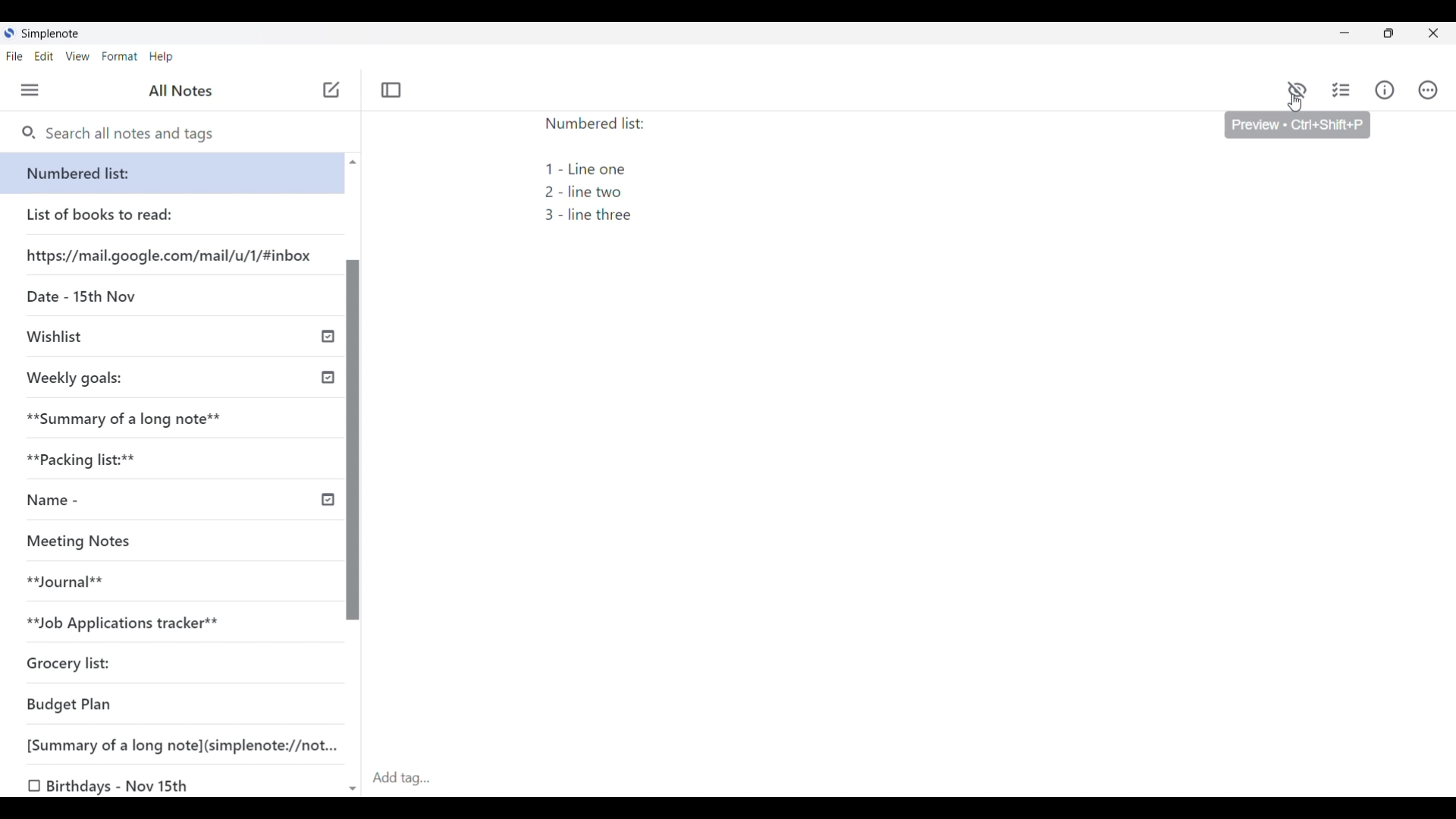 Image resolution: width=1456 pixels, height=819 pixels. What do you see at coordinates (1297, 89) in the screenshot?
I see `Indicates markdown preview is on` at bounding box center [1297, 89].